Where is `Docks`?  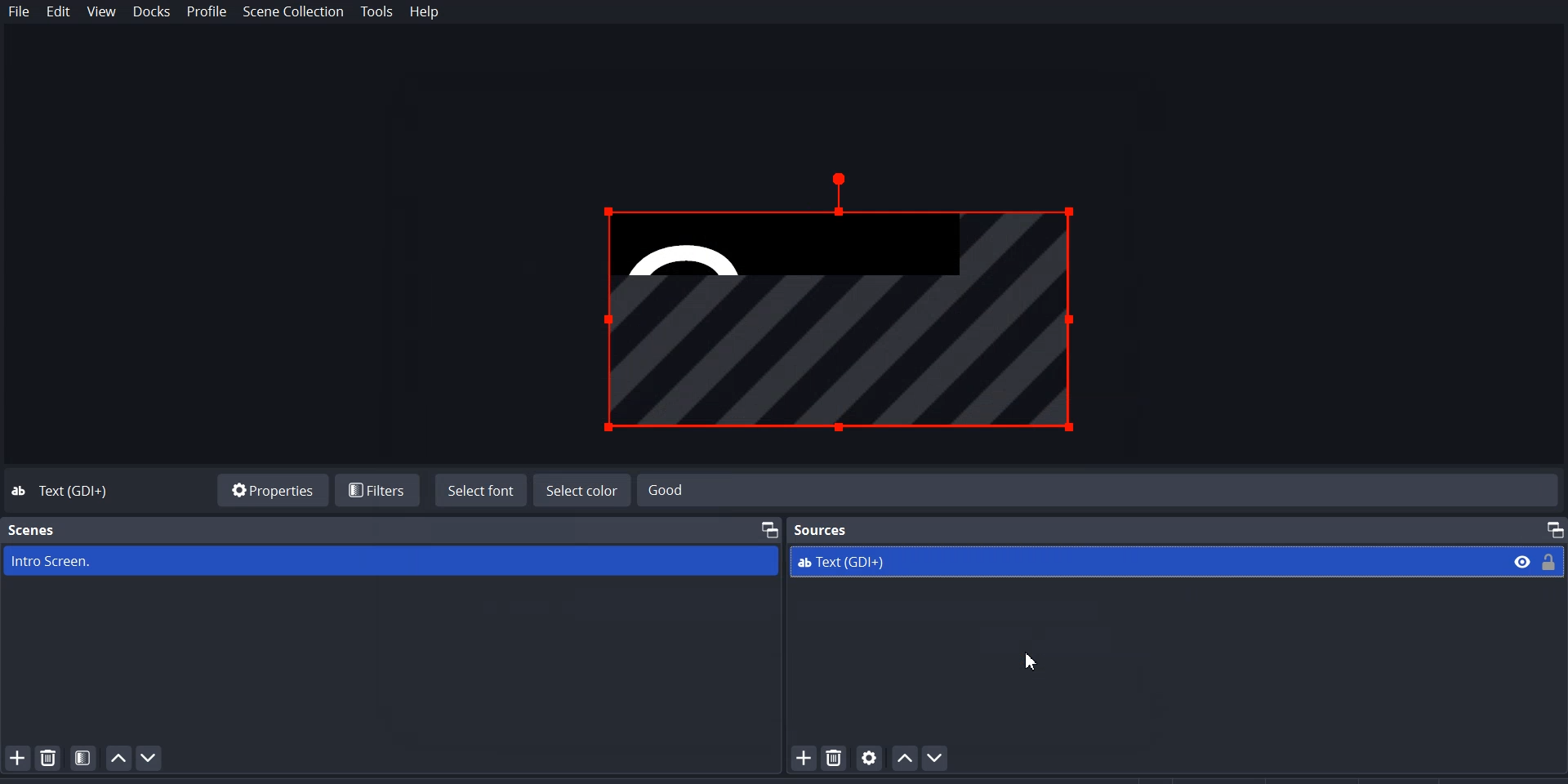 Docks is located at coordinates (151, 12).